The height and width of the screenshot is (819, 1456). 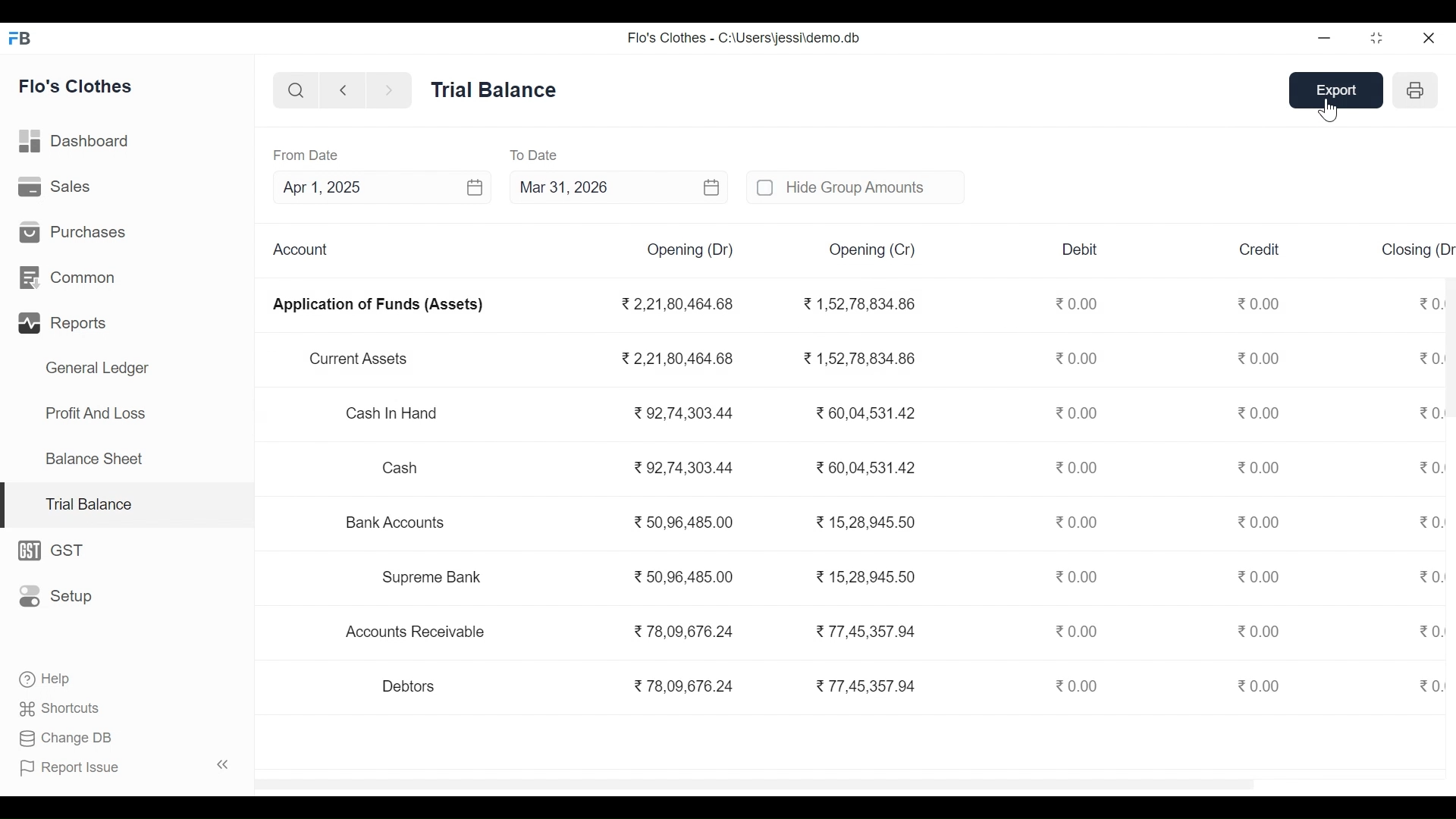 I want to click on 0.00, so click(x=1430, y=415).